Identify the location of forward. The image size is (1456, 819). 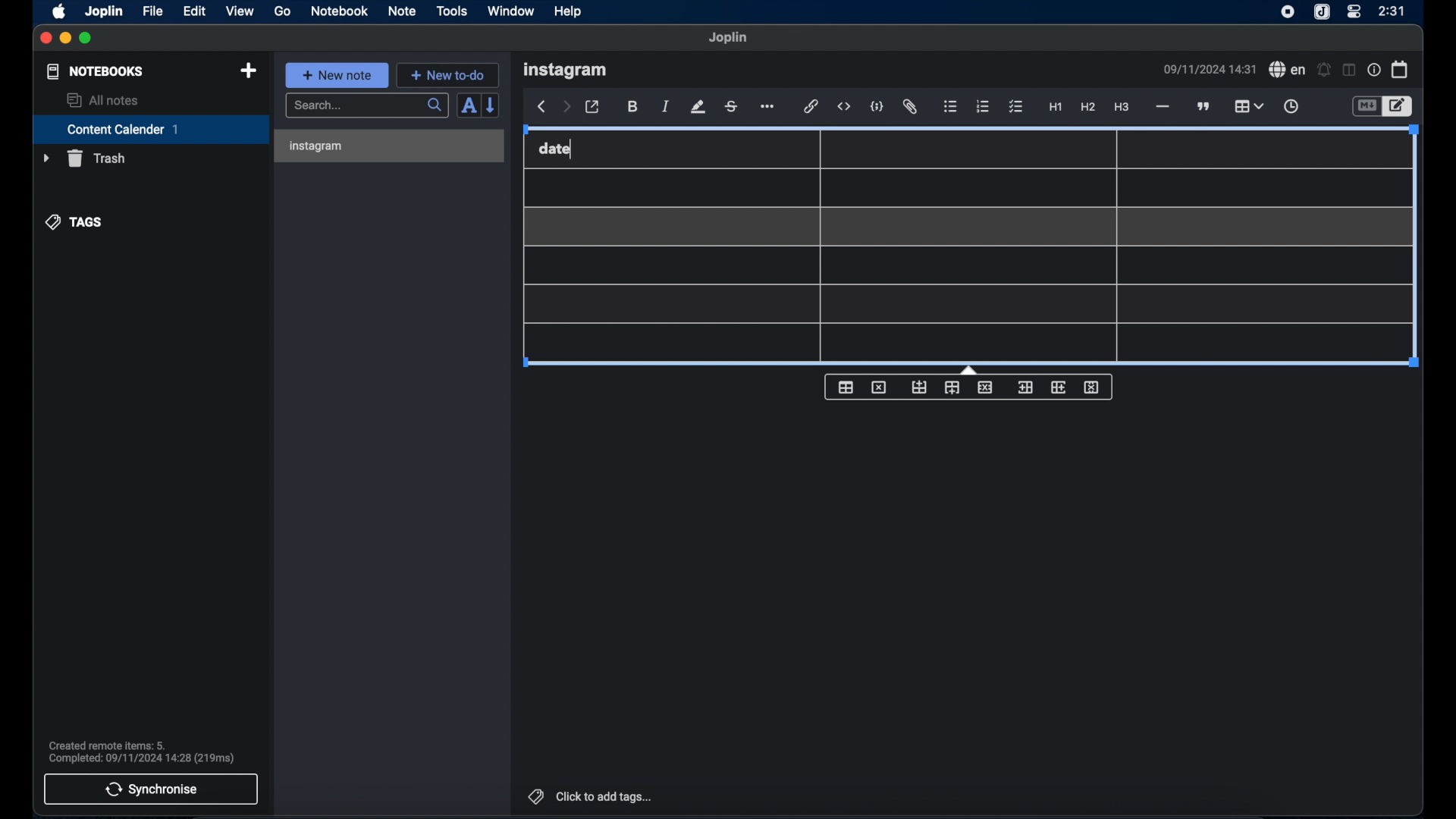
(566, 108).